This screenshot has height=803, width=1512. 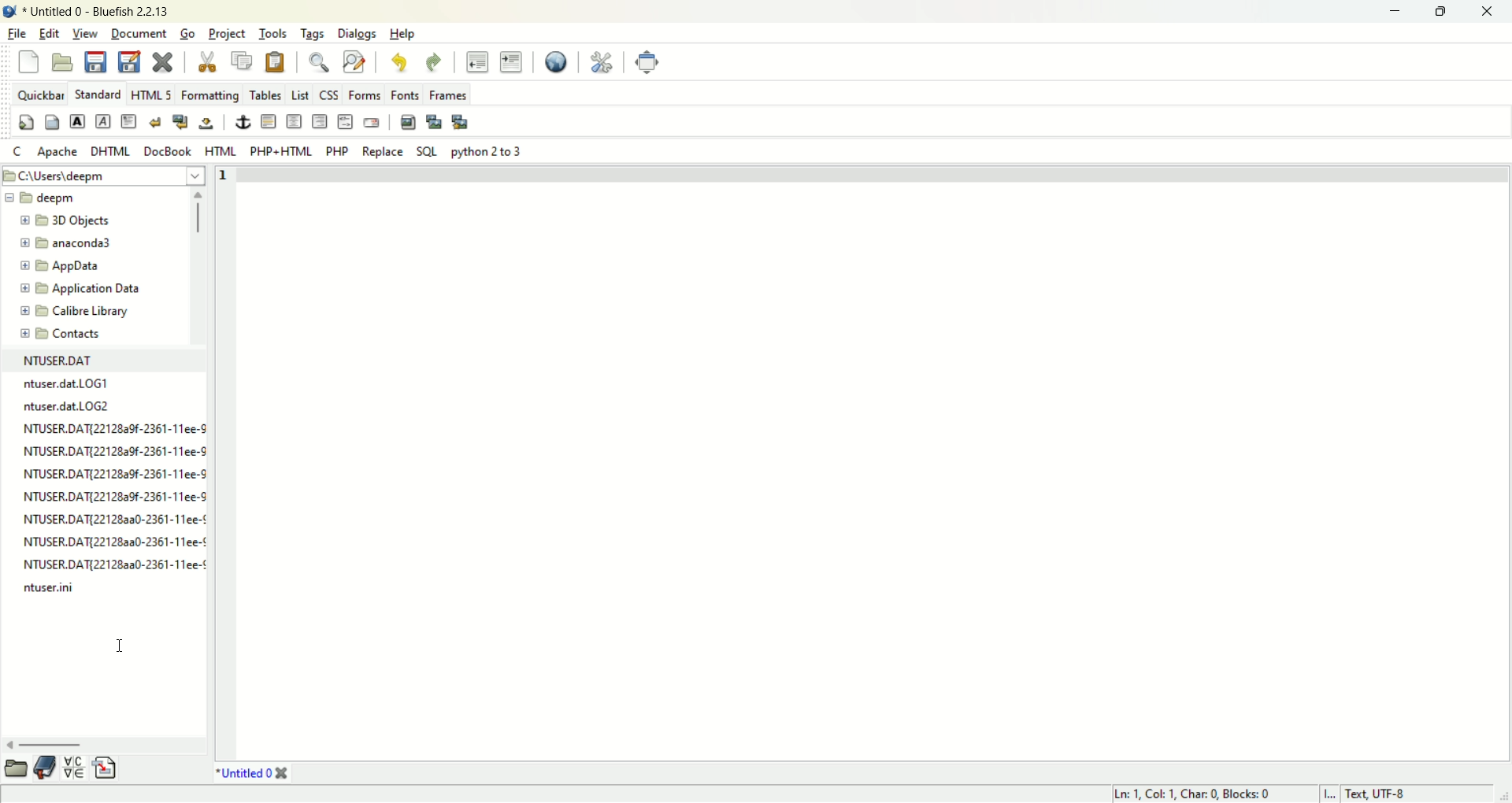 What do you see at coordinates (243, 122) in the screenshot?
I see `anchor` at bounding box center [243, 122].